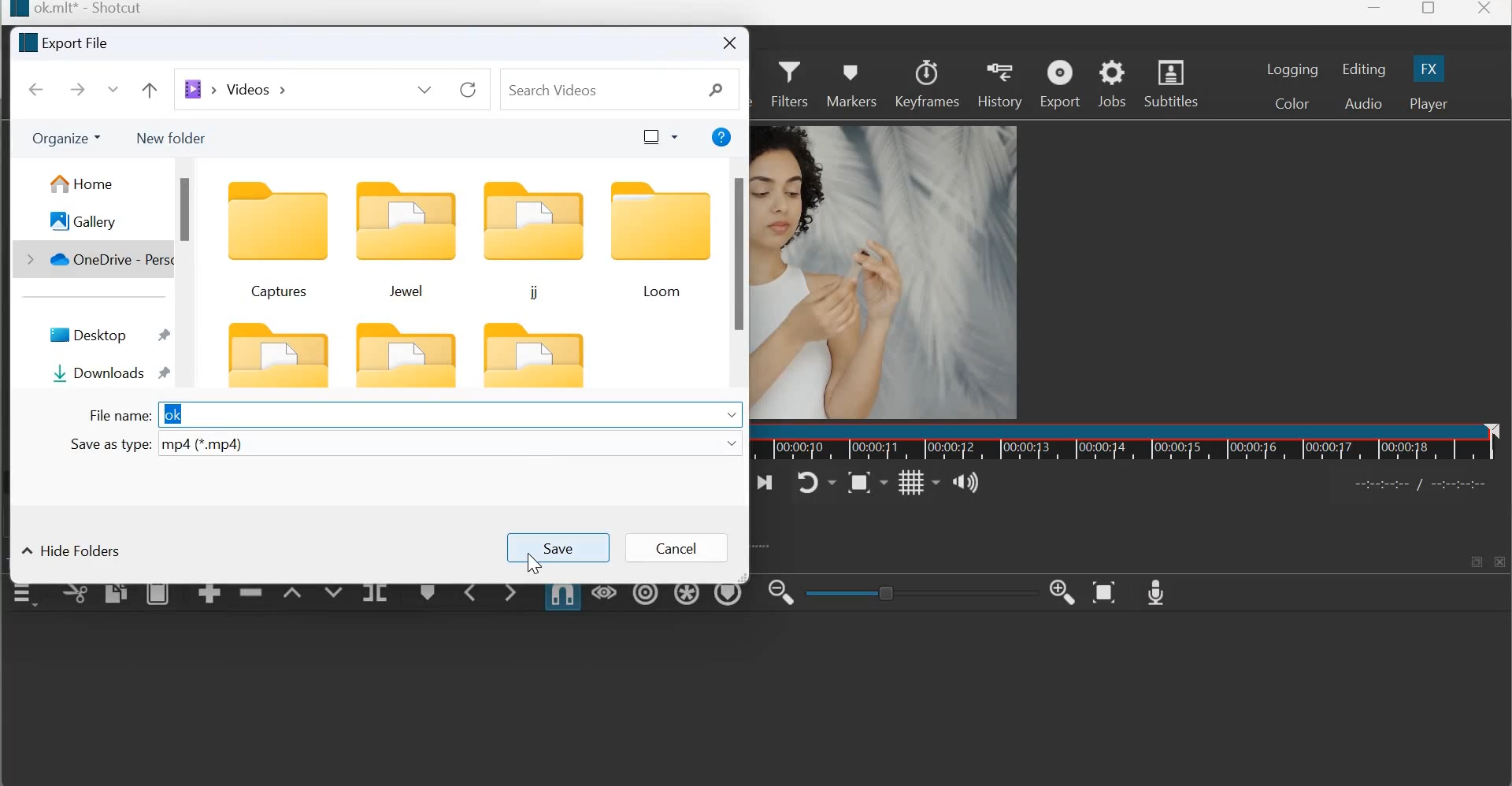 The height and width of the screenshot is (786, 1512). I want to click on Hide folders, so click(72, 551).